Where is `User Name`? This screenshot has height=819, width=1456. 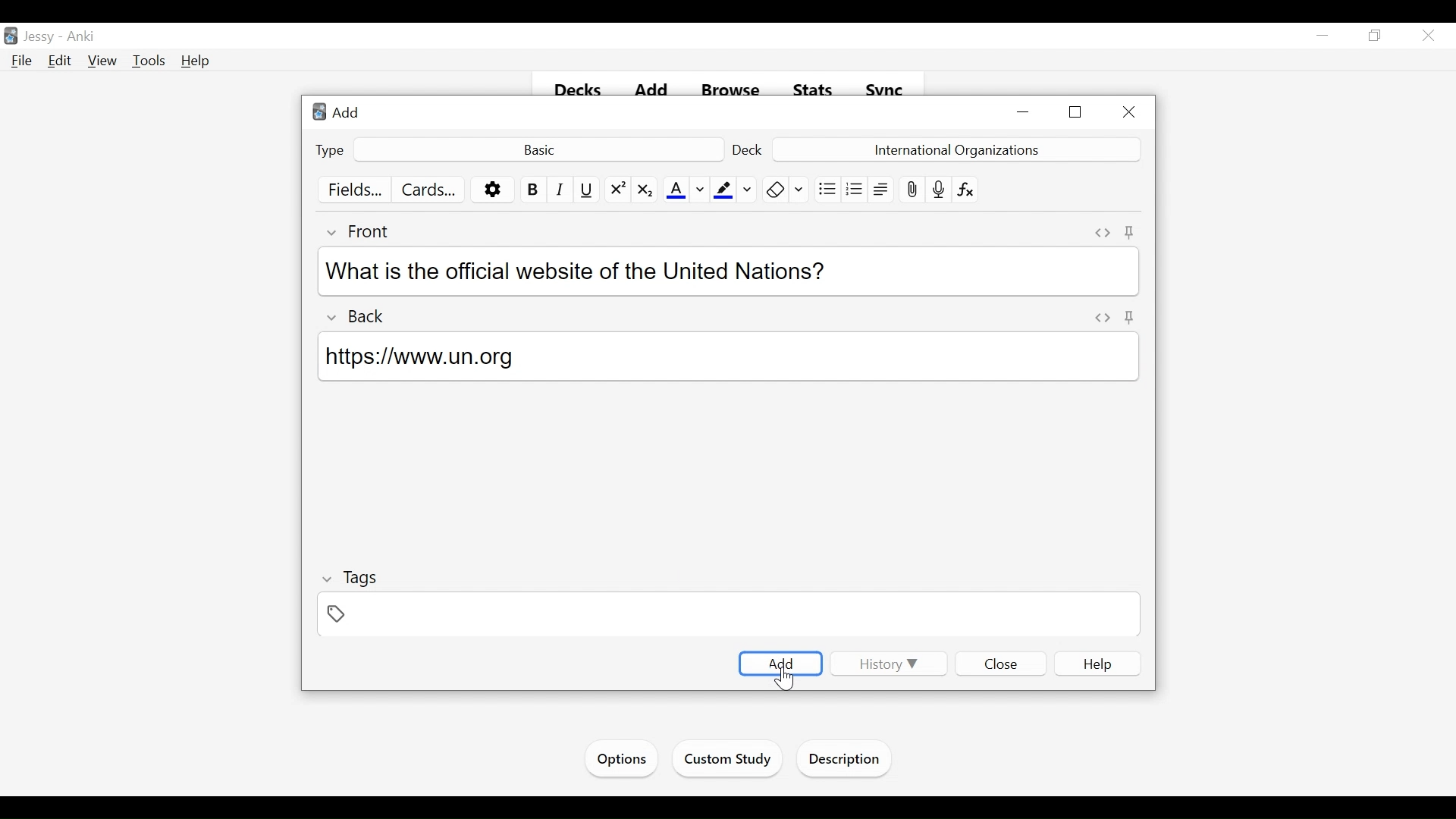 User Name is located at coordinates (39, 37).